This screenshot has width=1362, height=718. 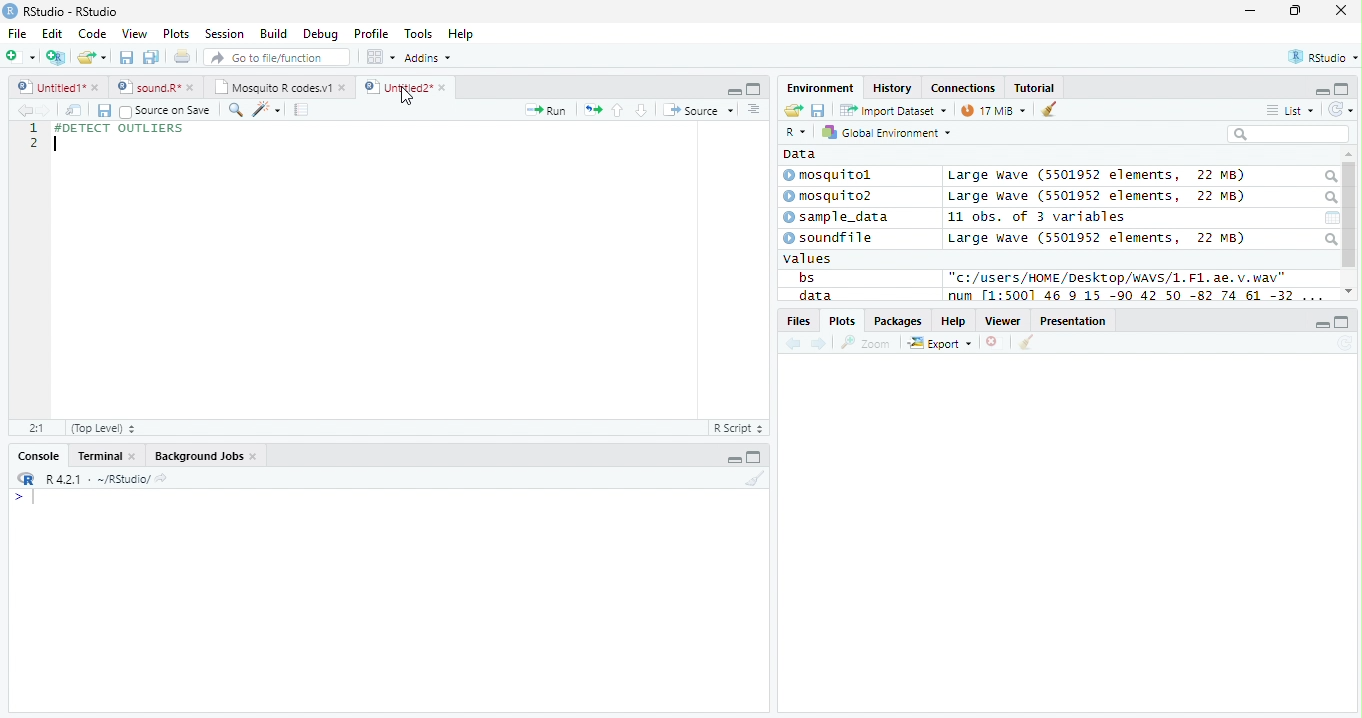 I want to click on Plots, so click(x=841, y=321).